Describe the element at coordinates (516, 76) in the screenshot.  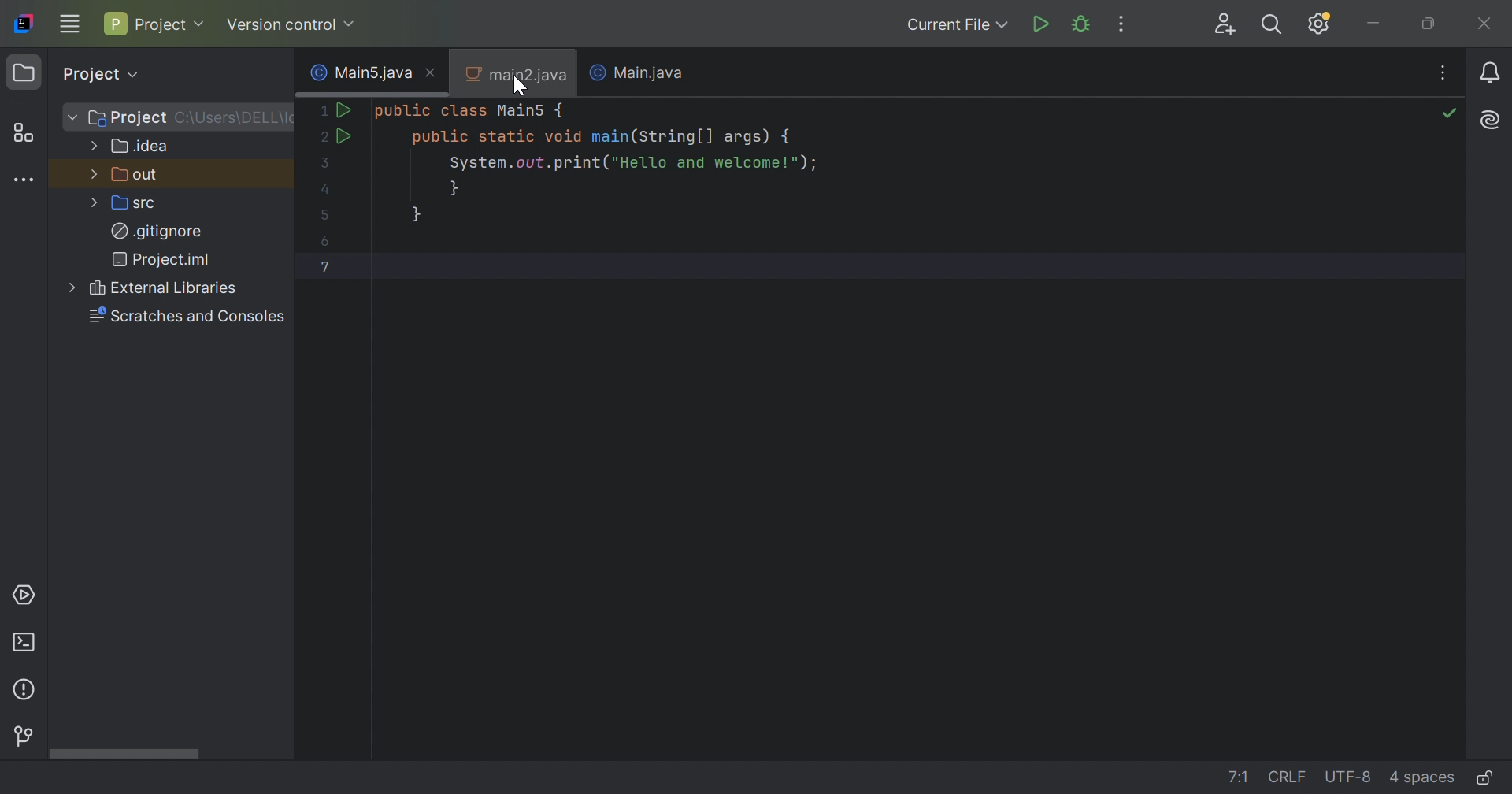
I see `main2.java` at that location.